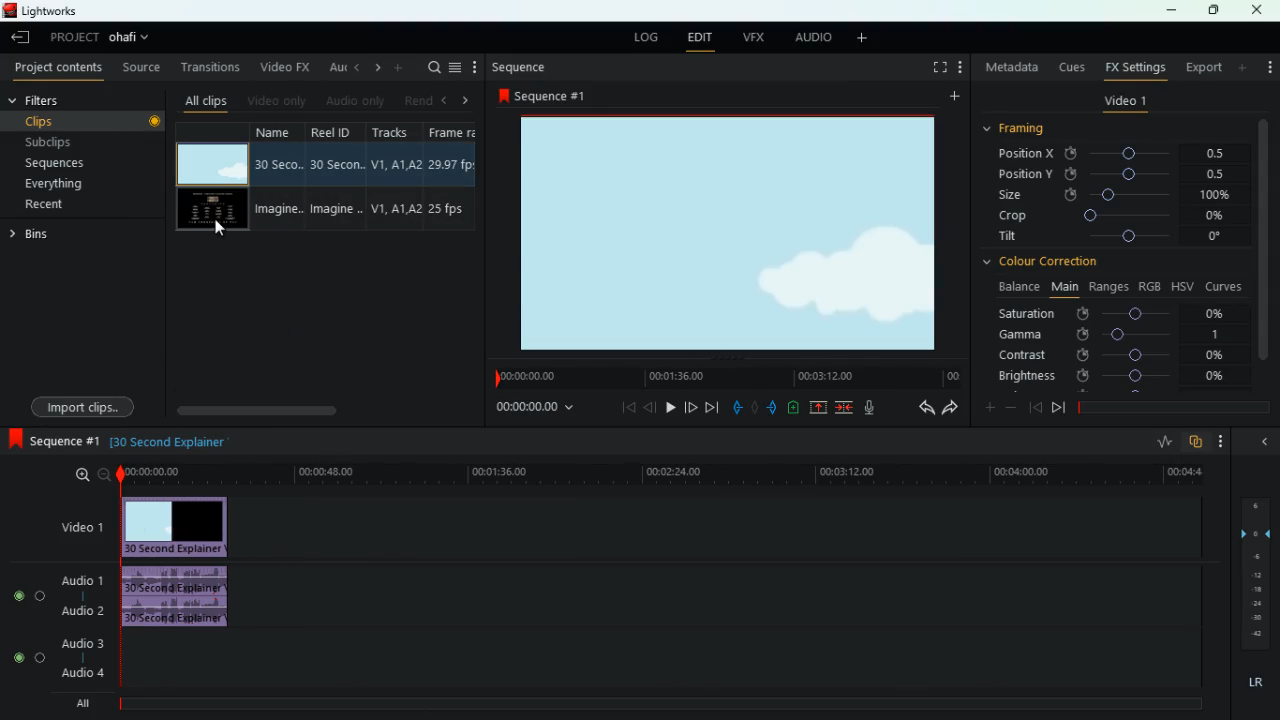 This screenshot has width=1280, height=720. What do you see at coordinates (533, 409) in the screenshot?
I see `time` at bounding box center [533, 409].